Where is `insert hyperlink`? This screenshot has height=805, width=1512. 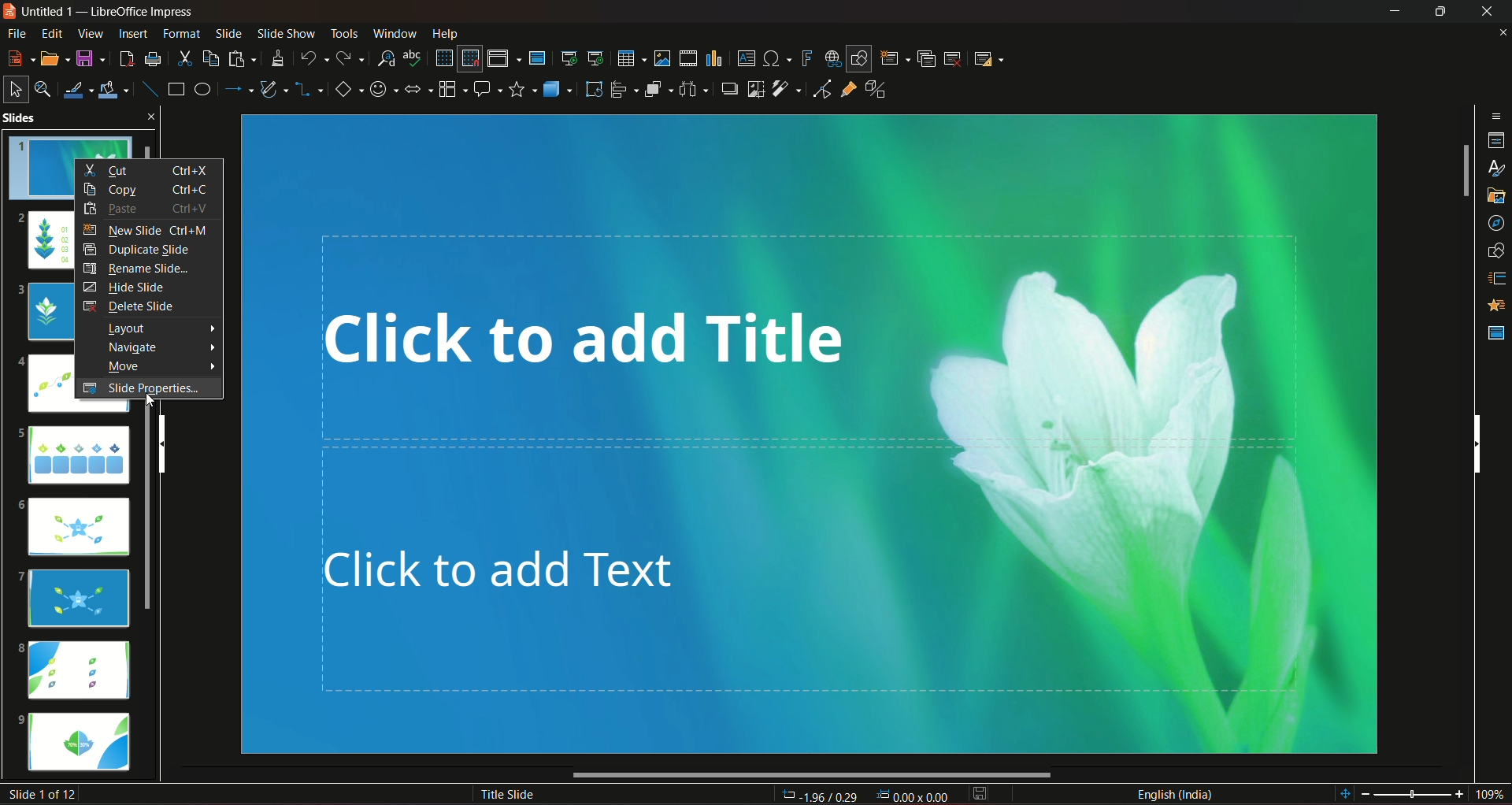
insert hyperlink is located at coordinates (829, 57).